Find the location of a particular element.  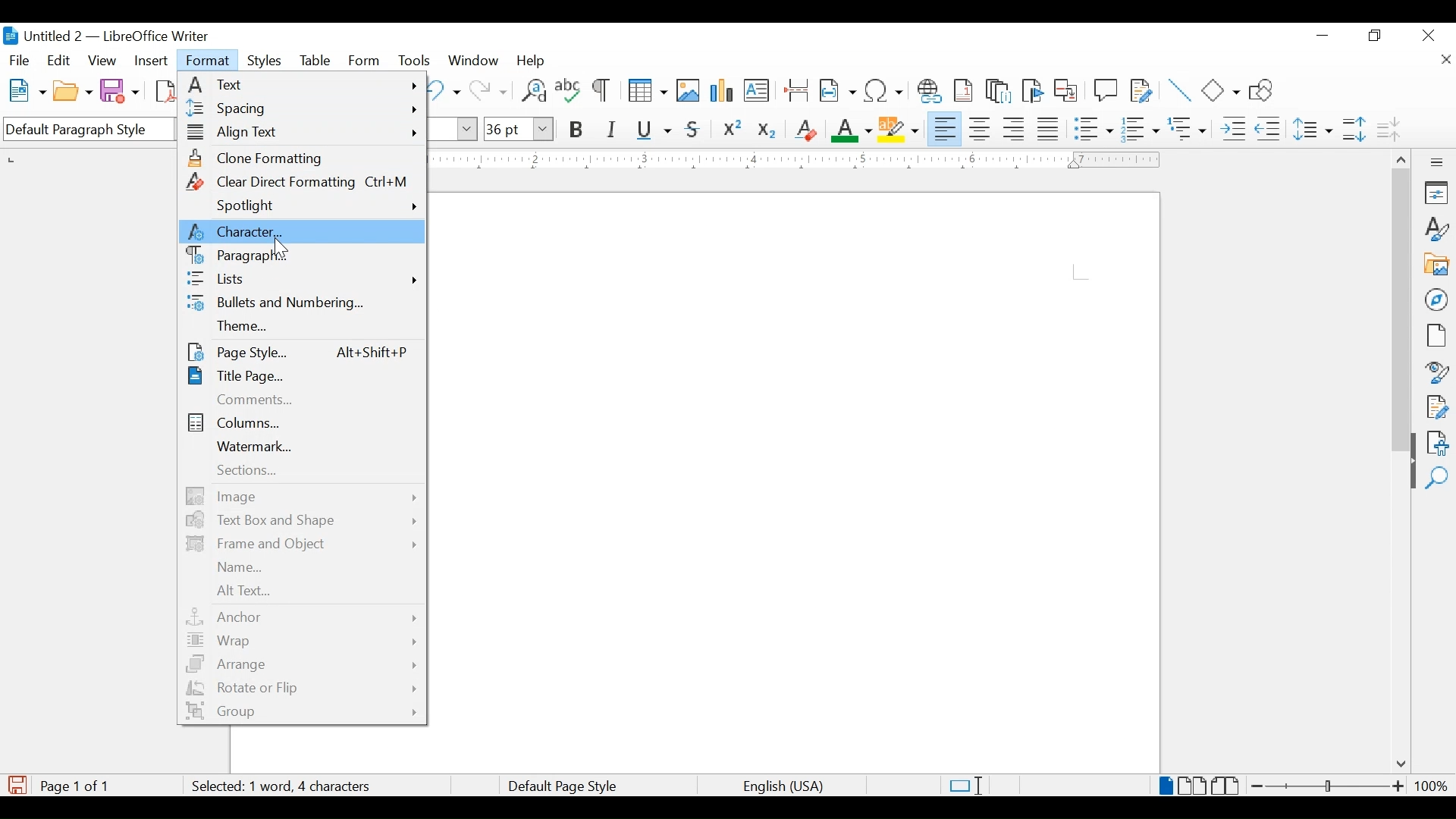

table is located at coordinates (315, 61).